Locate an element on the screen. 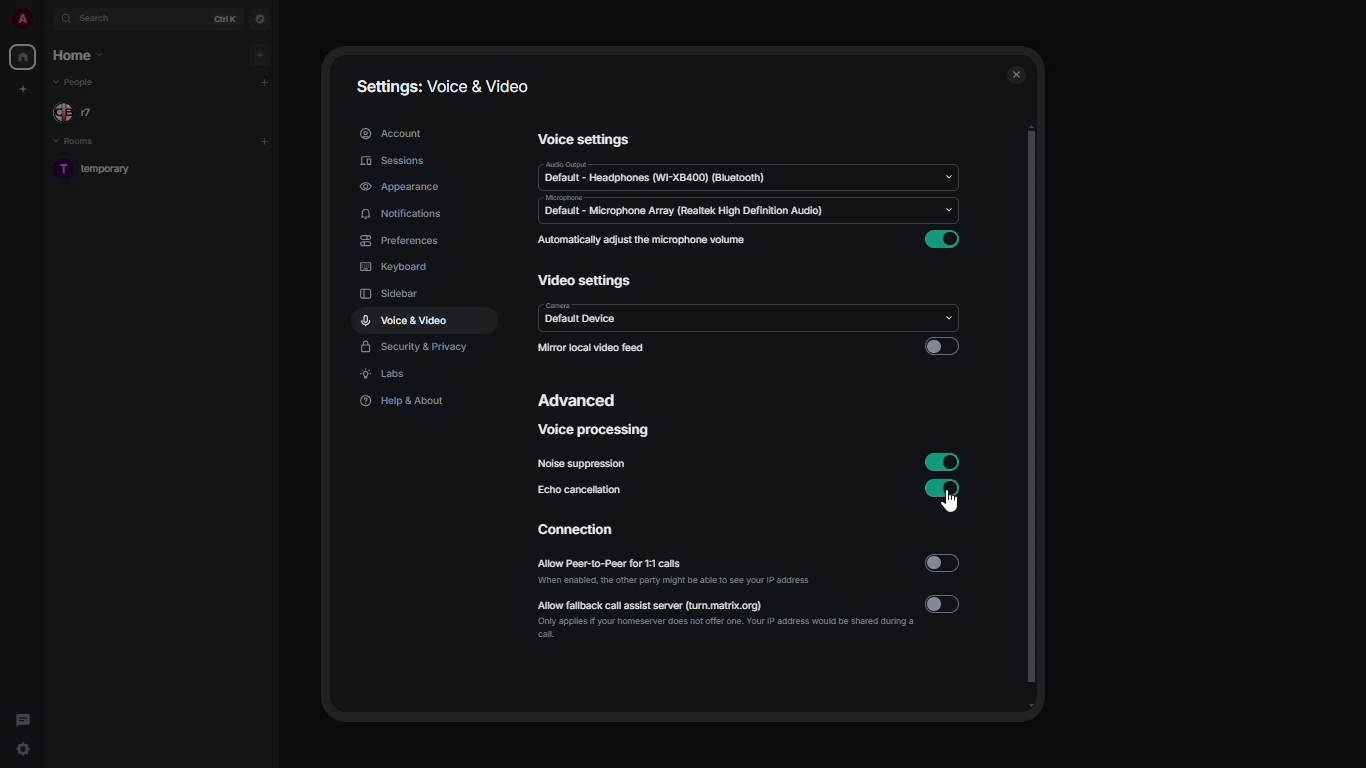 This screenshot has height=768, width=1366. voice settings is located at coordinates (588, 139).